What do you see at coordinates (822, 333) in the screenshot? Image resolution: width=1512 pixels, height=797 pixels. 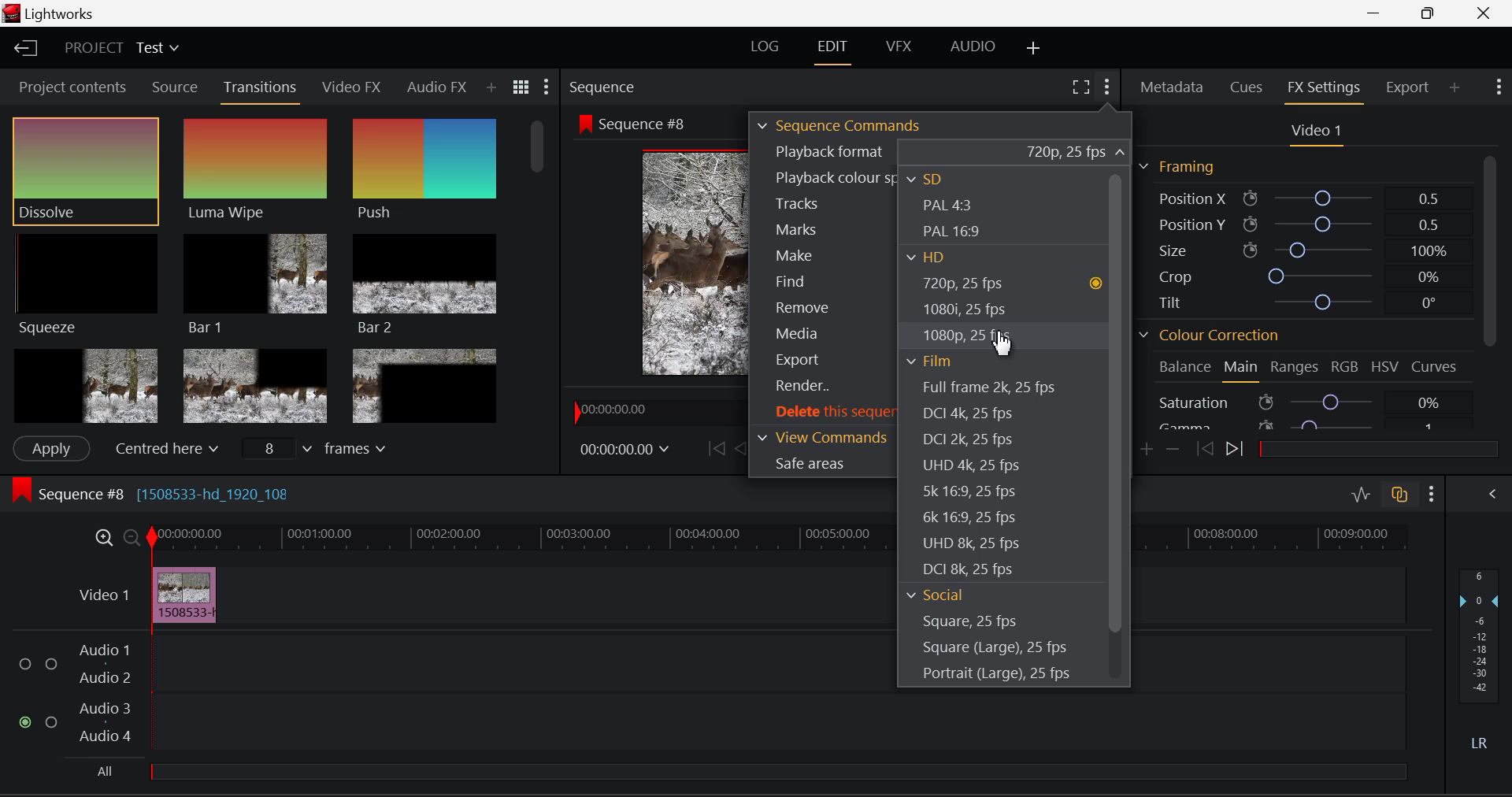 I see `Media` at bounding box center [822, 333].